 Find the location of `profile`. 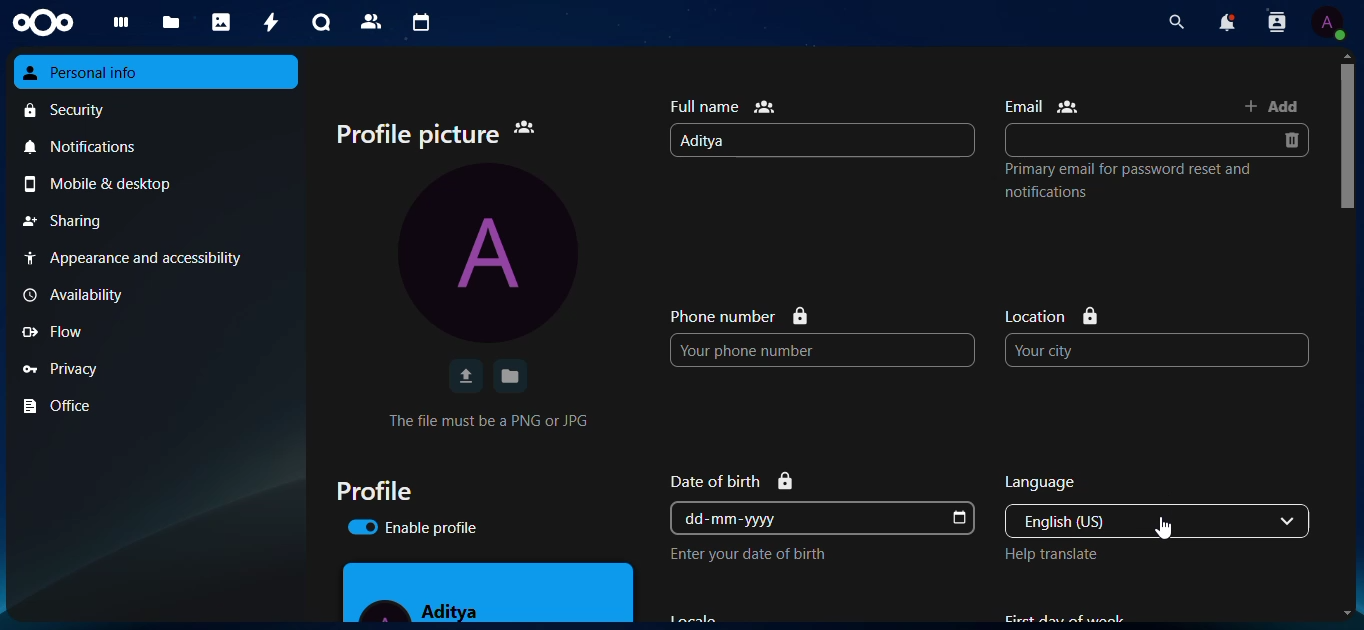

profile is located at coordinates (384, 490).